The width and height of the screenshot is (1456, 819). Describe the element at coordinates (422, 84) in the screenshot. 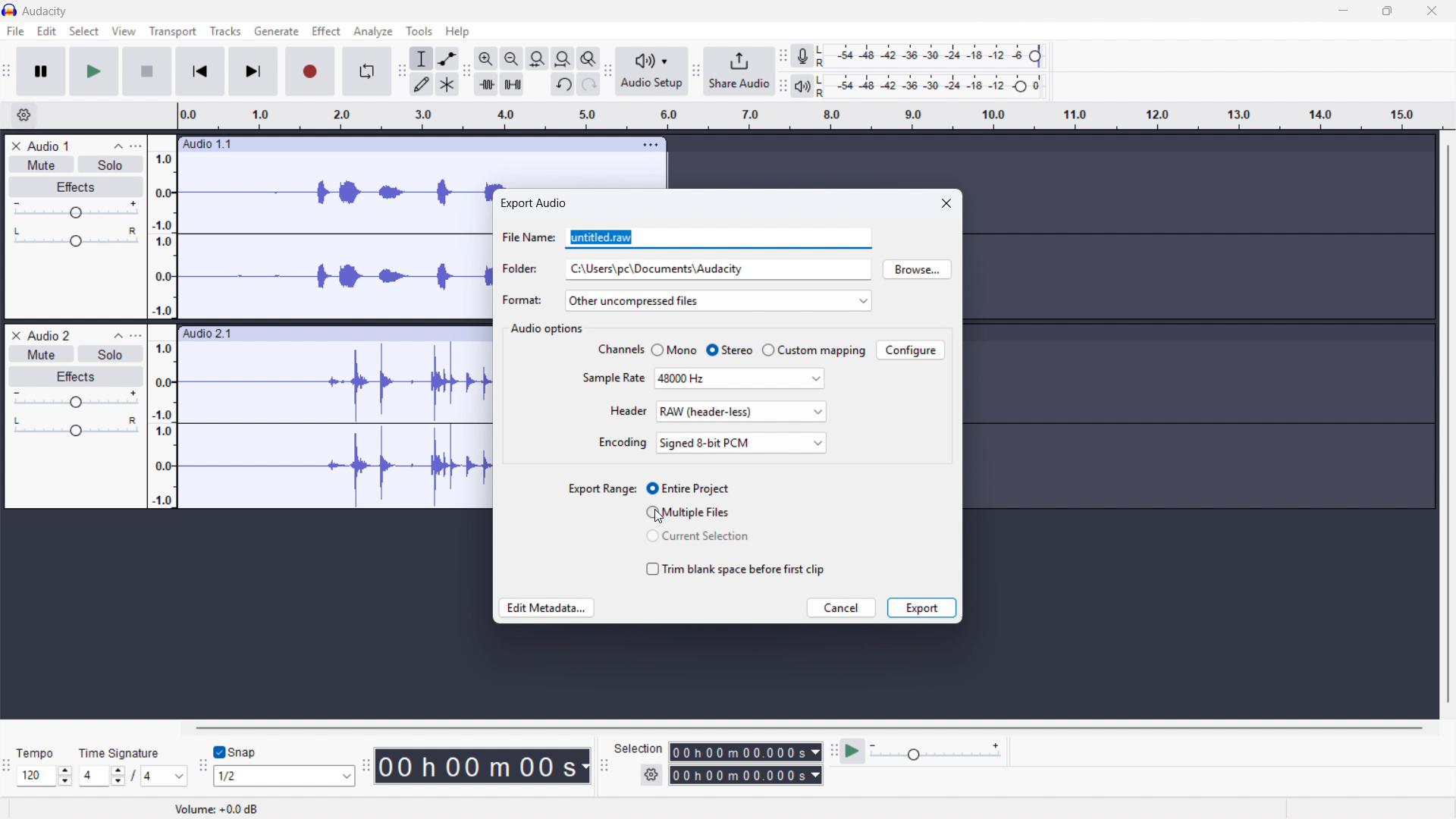

I see `Draw tool ` at that location.